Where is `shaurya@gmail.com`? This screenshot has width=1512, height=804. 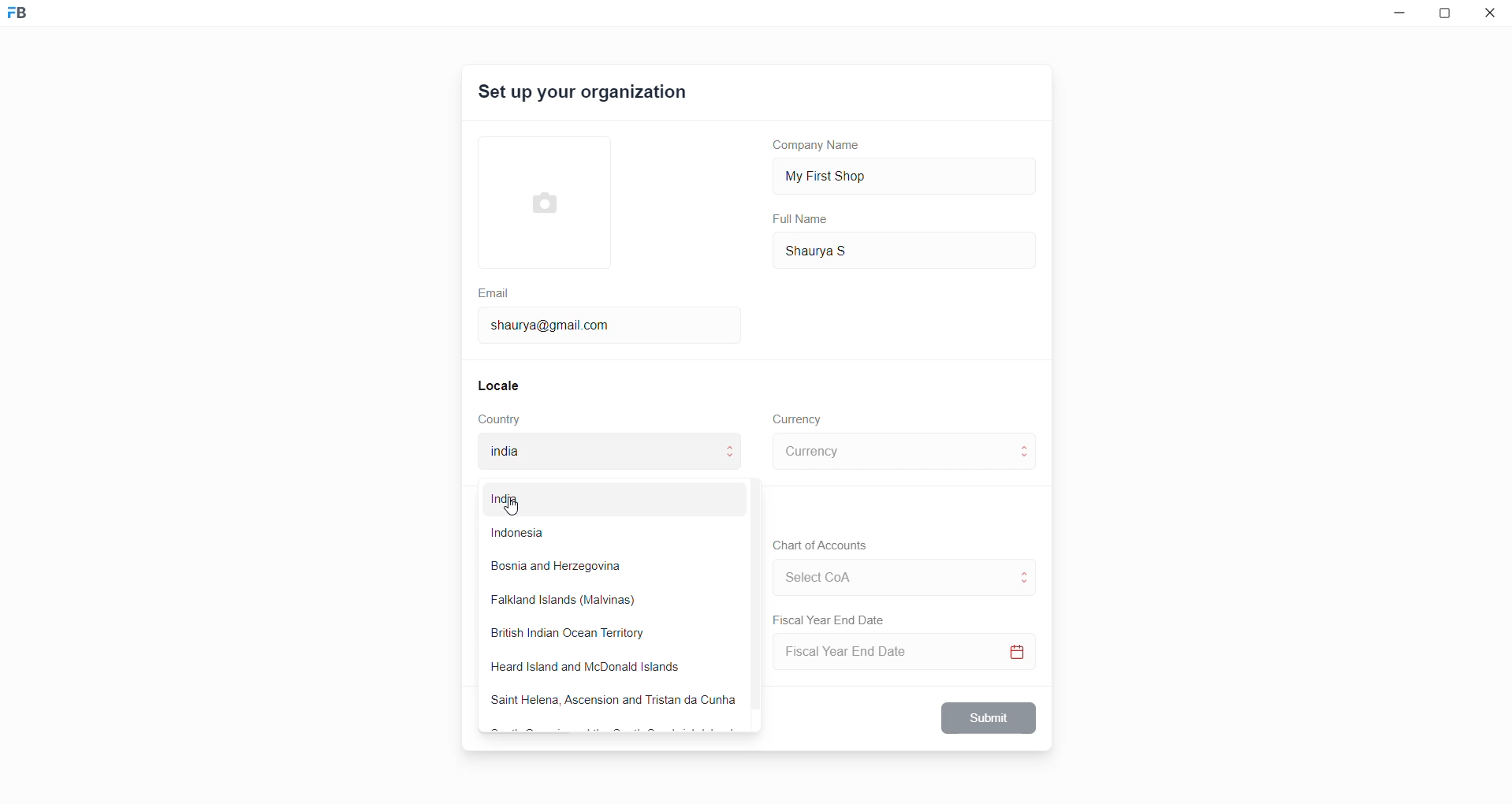 shaurya@gmail.com is located at coordinates (556, 323).